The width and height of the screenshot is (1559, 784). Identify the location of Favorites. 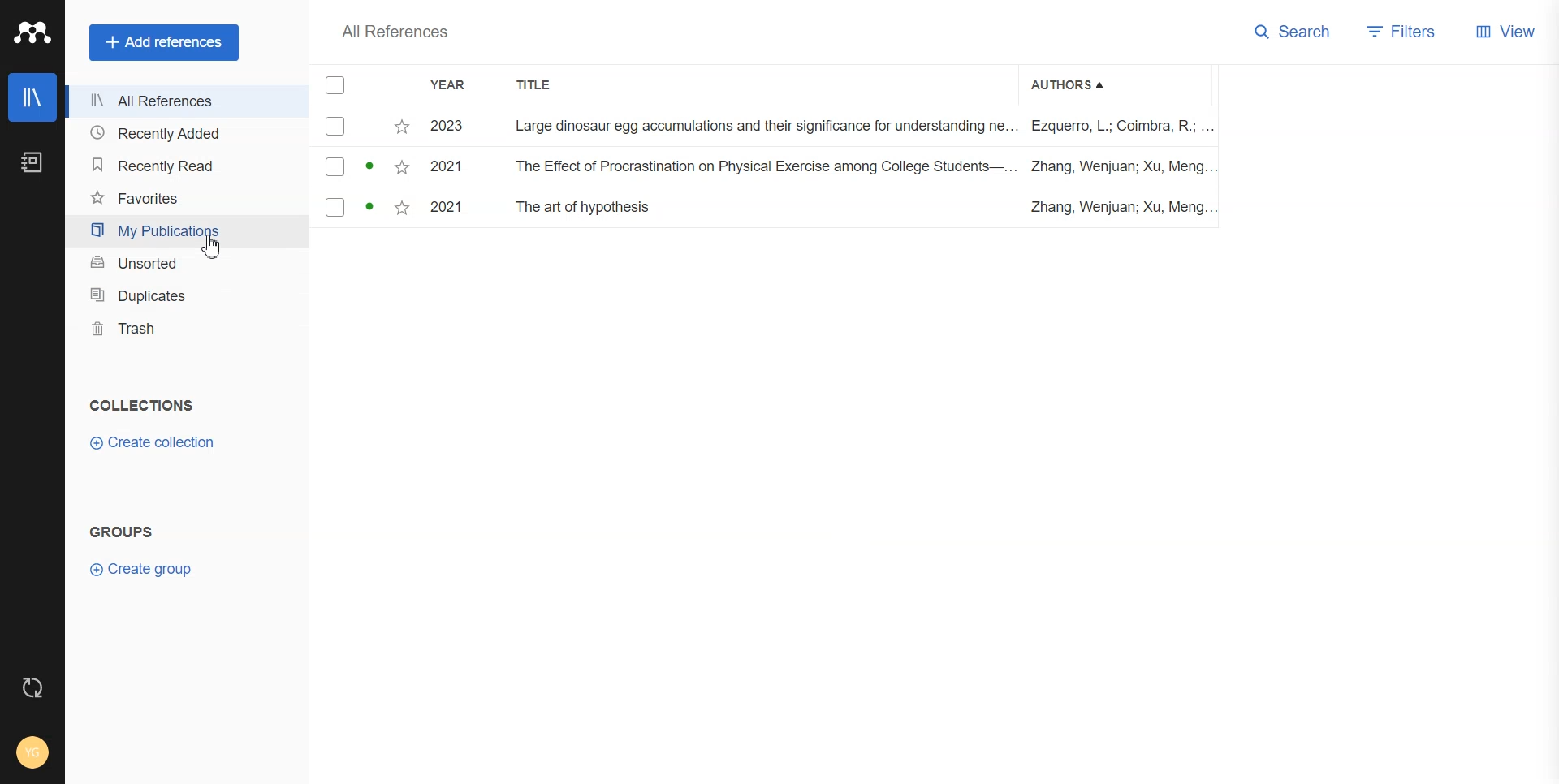
(402, 168).